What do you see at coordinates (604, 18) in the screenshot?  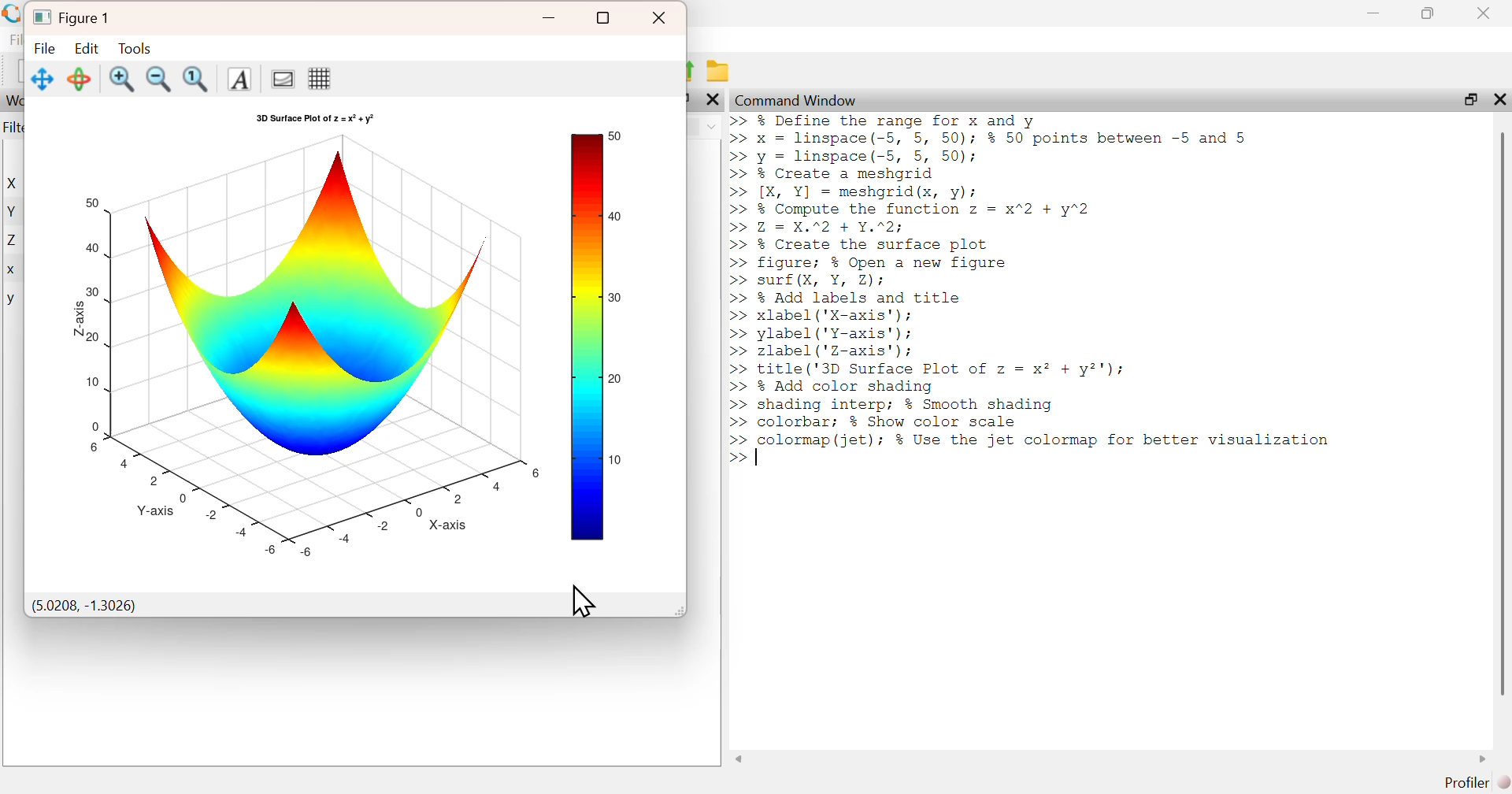 I see `full screen` at bounding box center [604, 18].